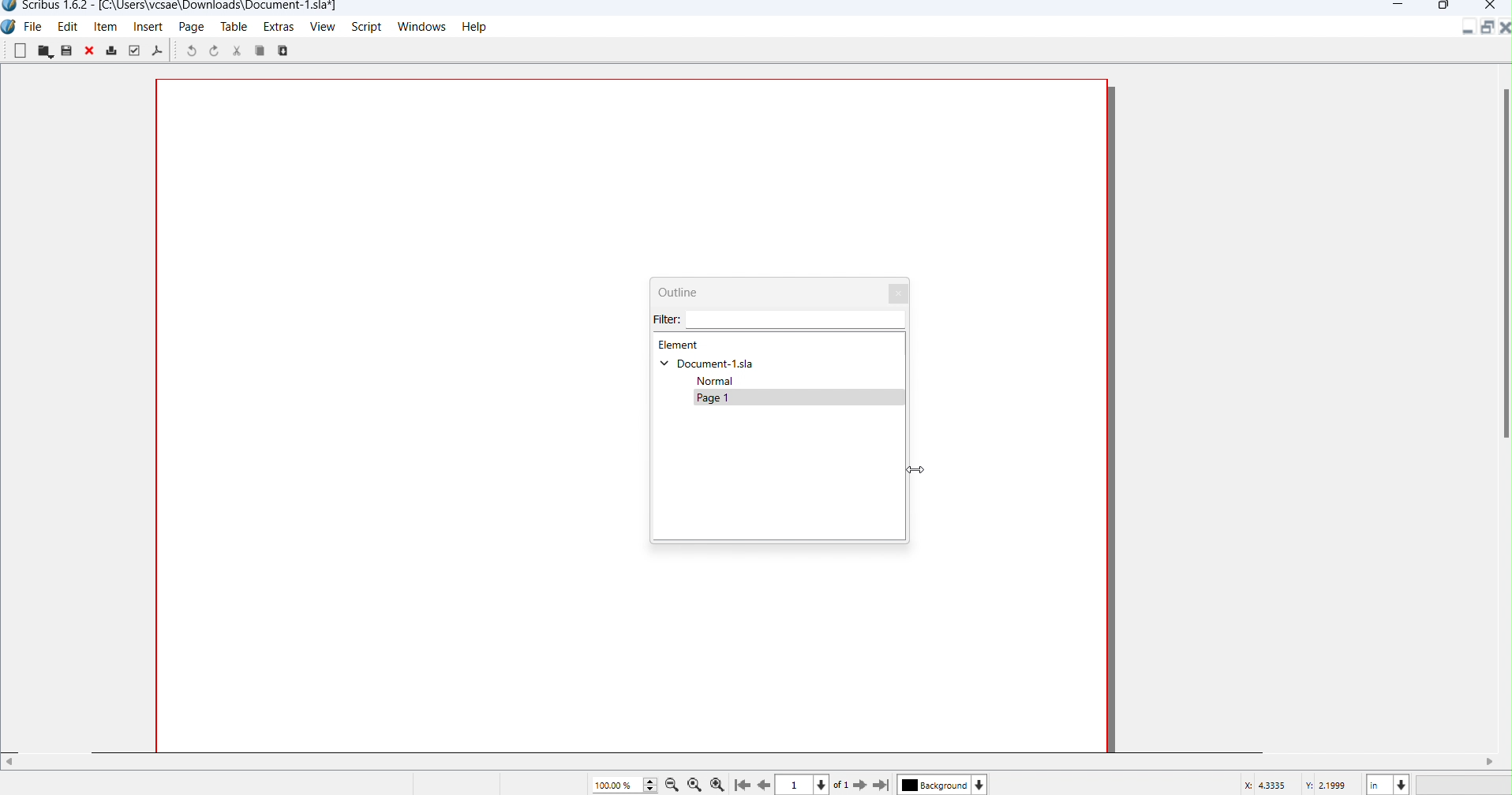 The height and width of the screenshot is (795, 1512). I want to click on , so click(193, 28).